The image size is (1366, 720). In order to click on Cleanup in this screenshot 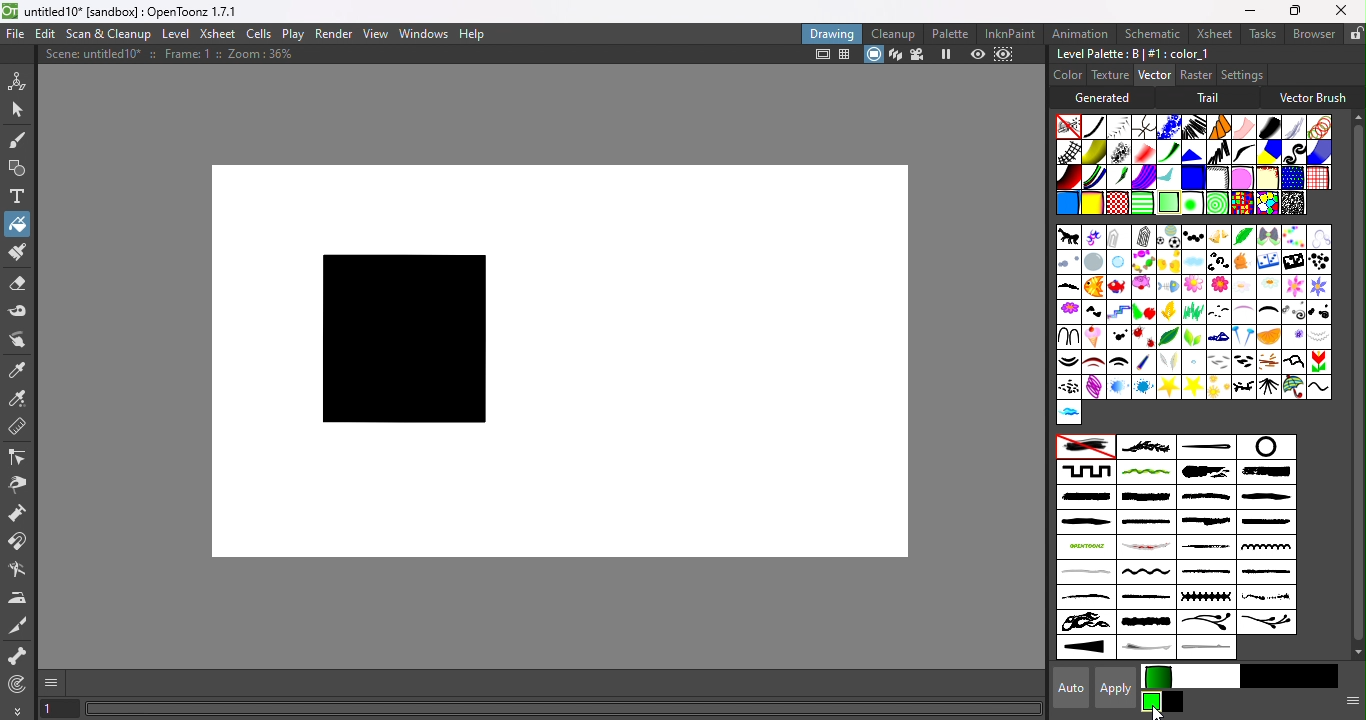, I will do `click(893, 33)`.